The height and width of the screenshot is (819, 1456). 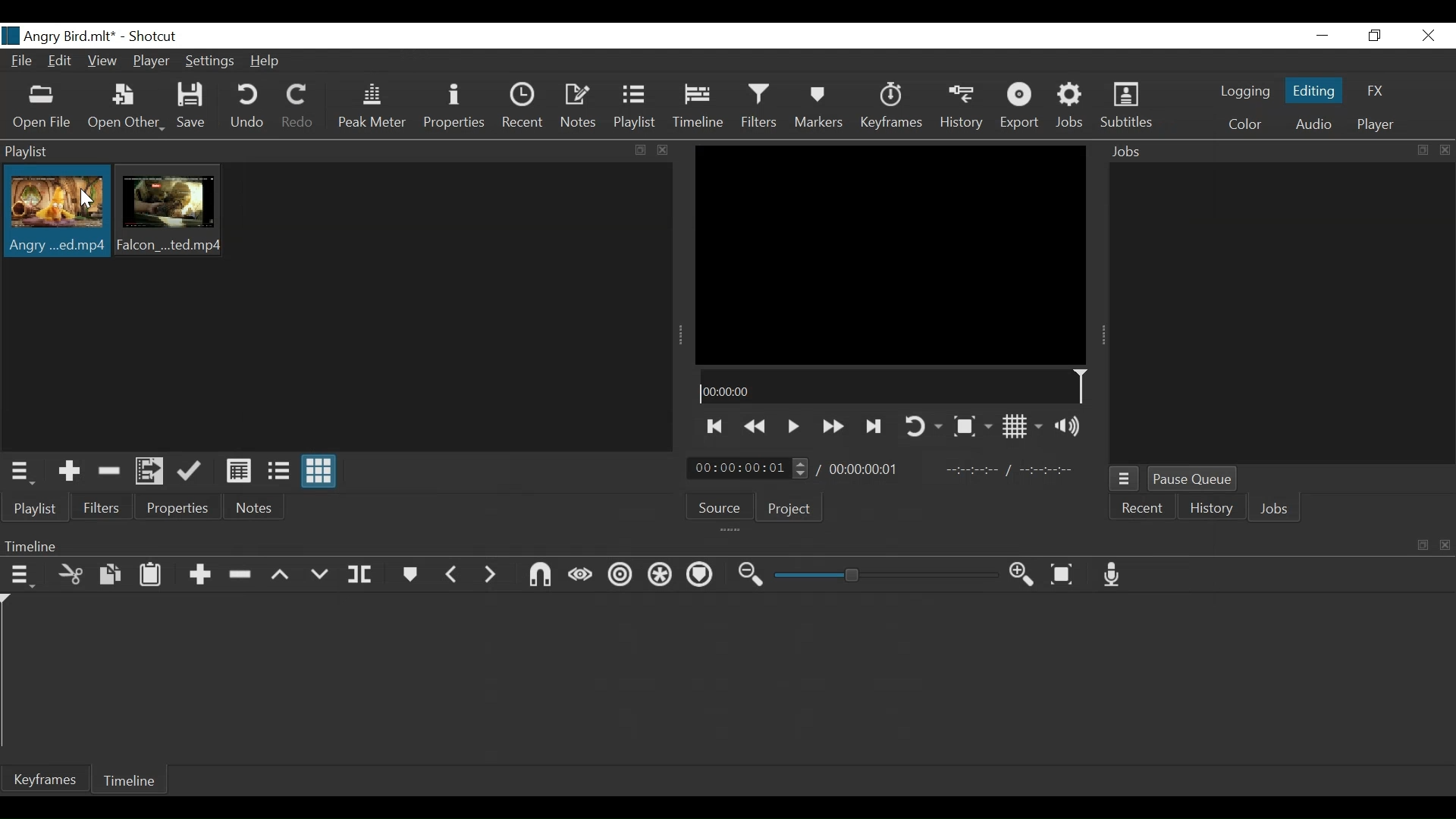 What do you see at coordinates (581, 106) in the screenshot?
I see `Notes` at bounding box center [581, 106].